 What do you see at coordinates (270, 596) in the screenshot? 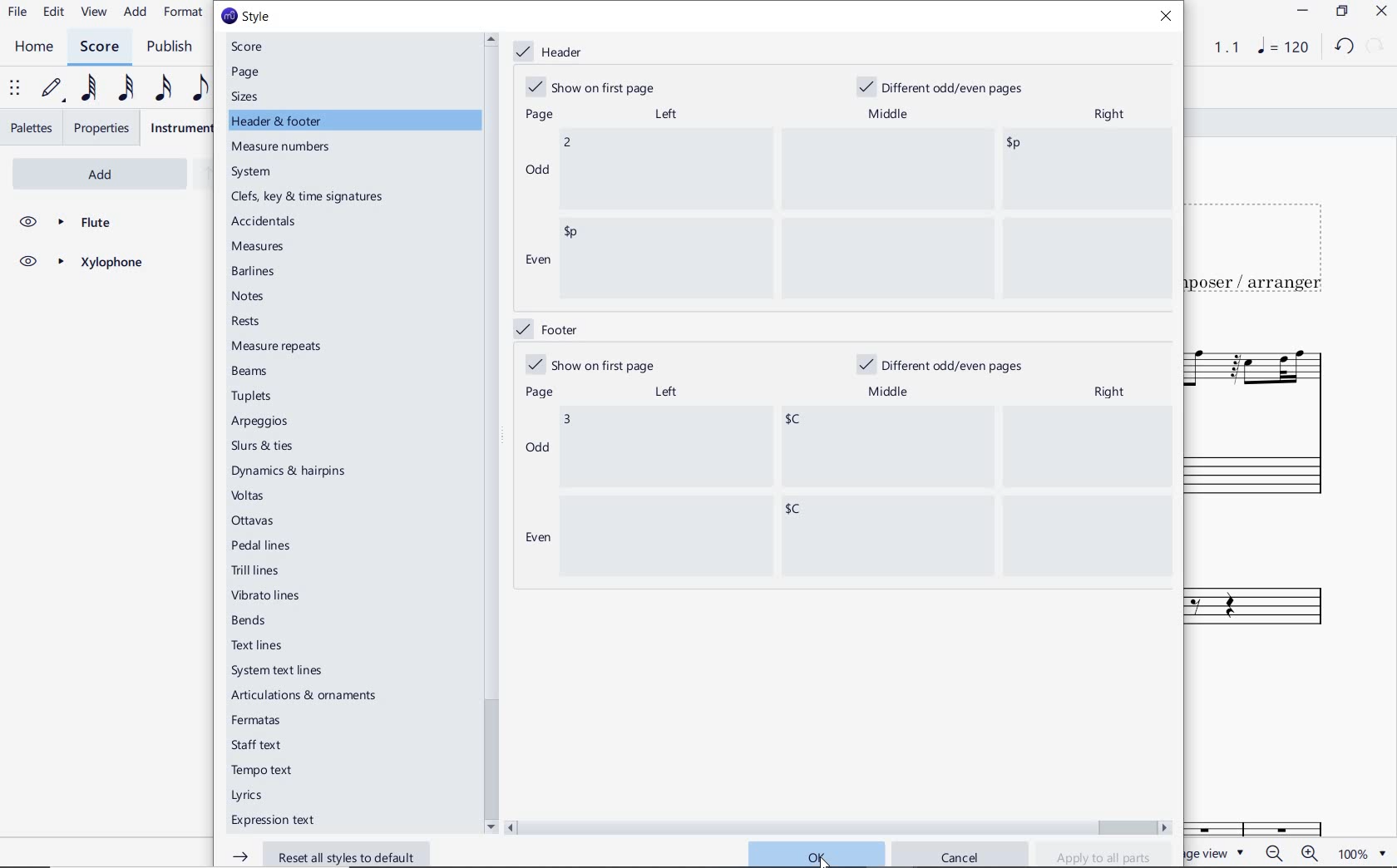
I see `vibrato lines` at bounding box center [270, 596].